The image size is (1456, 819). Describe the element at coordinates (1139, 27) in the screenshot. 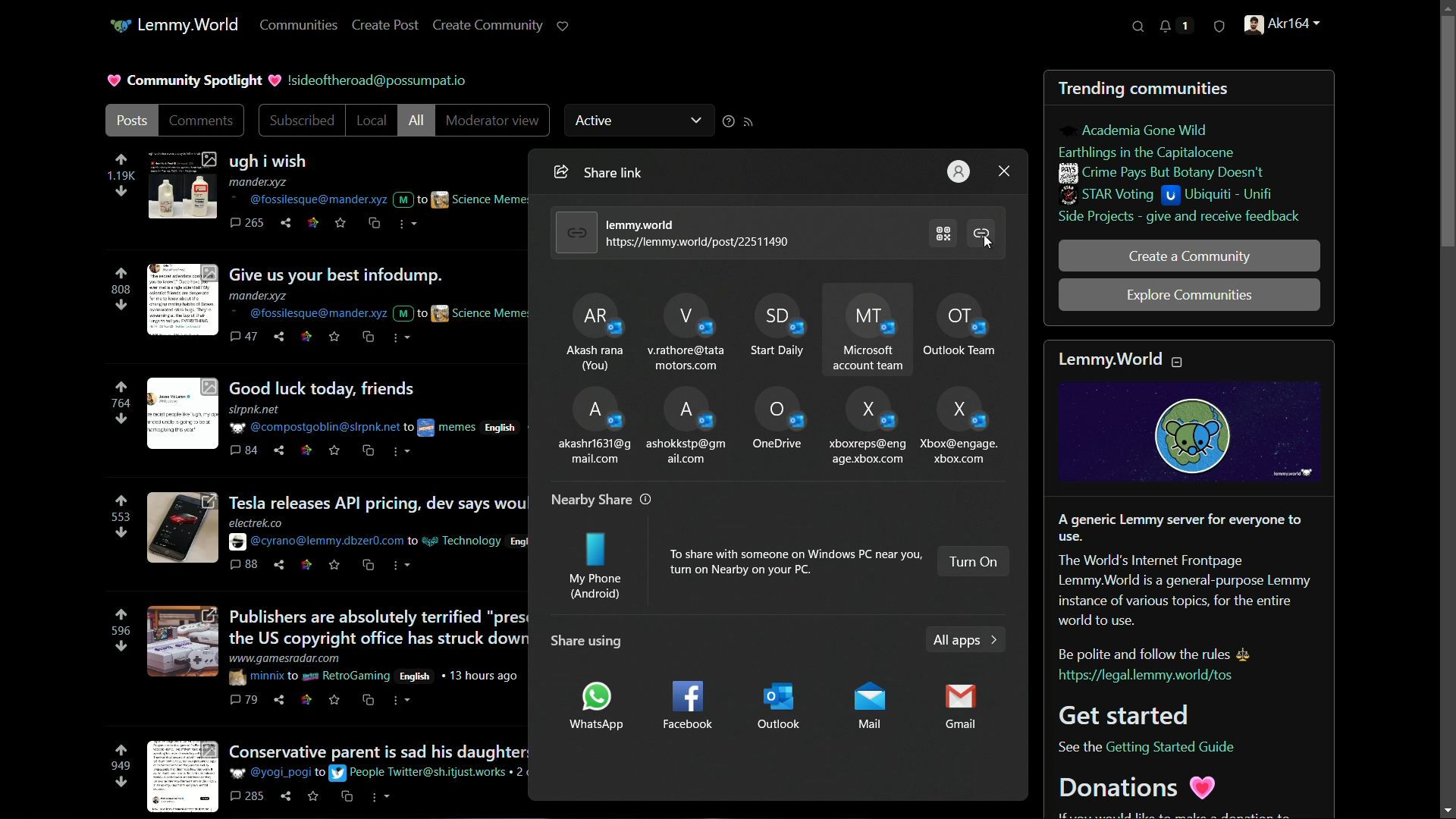

I see `search` at that location.